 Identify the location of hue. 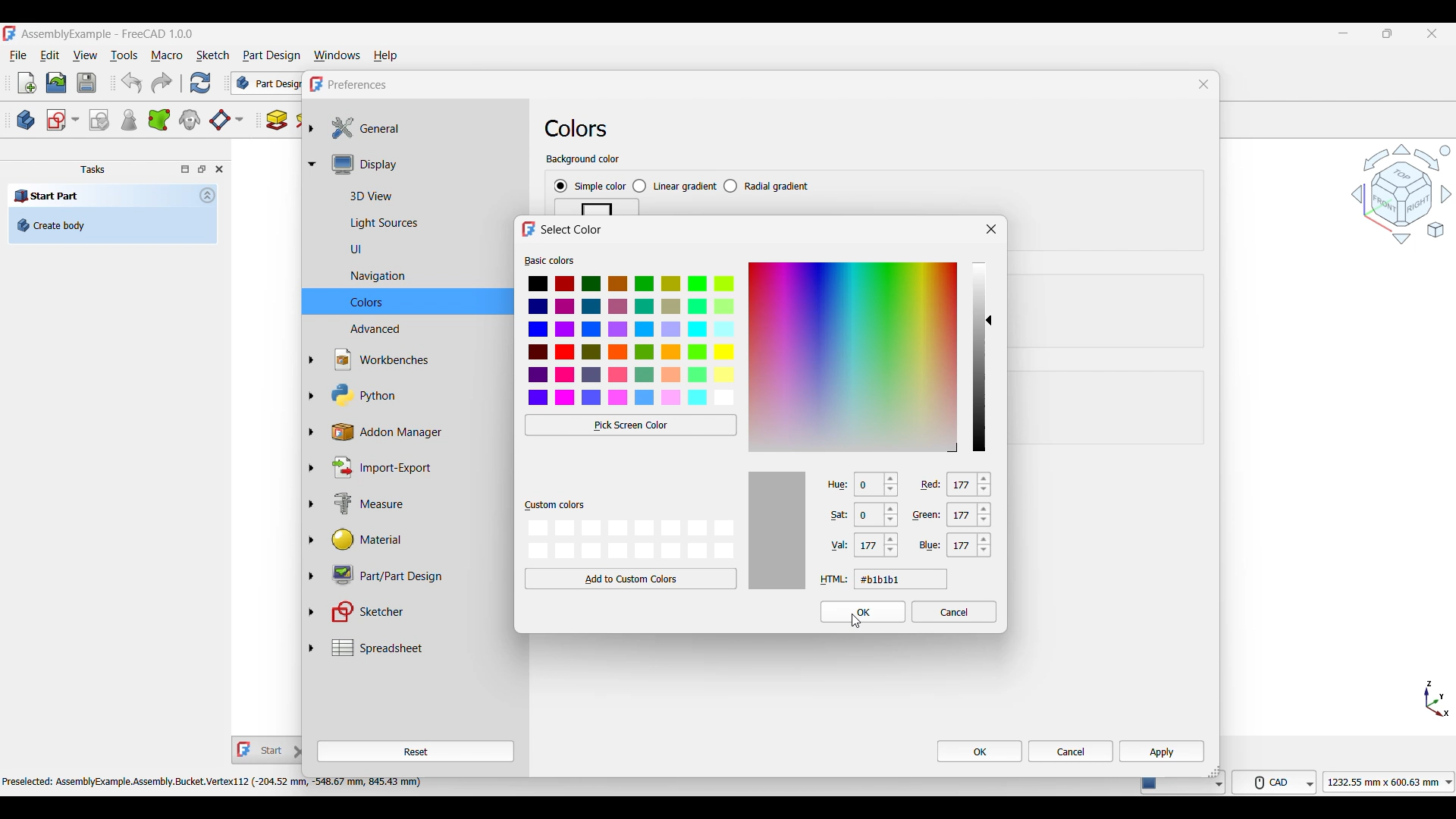
(833, 484).